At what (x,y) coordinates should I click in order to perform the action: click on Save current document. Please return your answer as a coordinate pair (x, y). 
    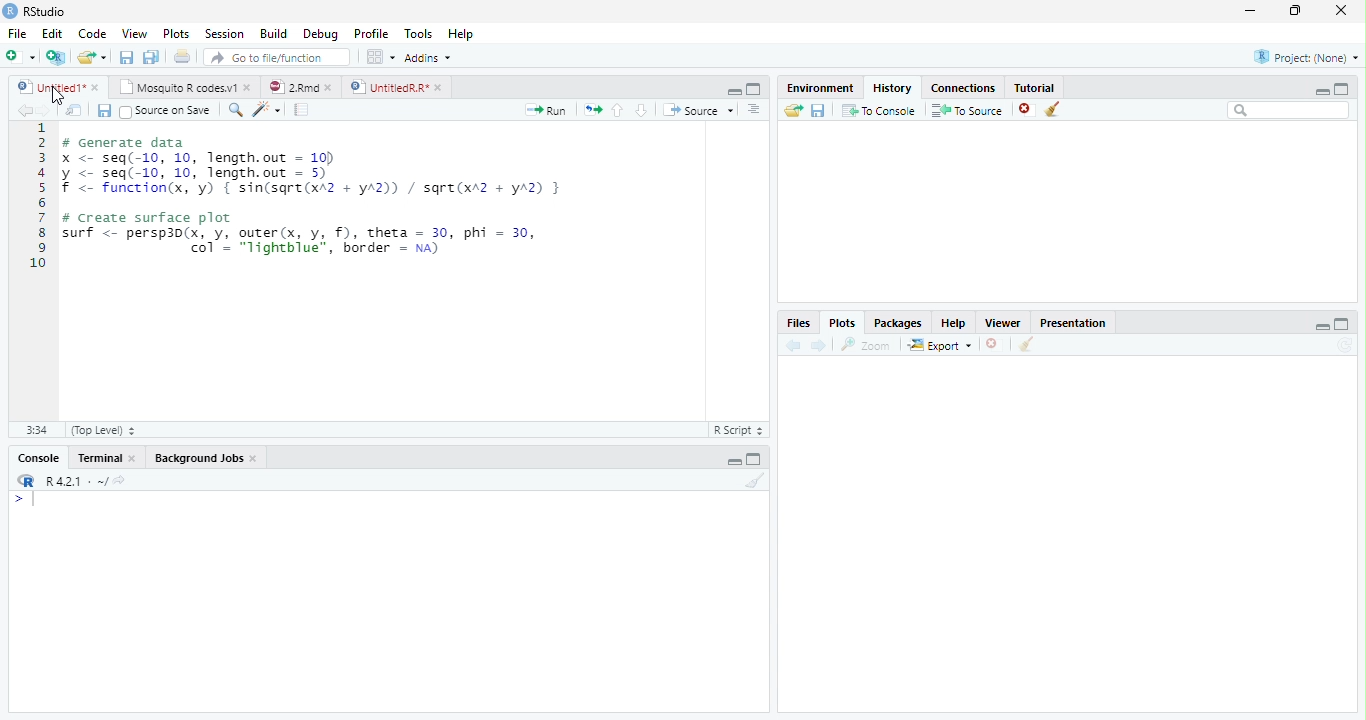
    Looking at the image, I should click on (103, 110).